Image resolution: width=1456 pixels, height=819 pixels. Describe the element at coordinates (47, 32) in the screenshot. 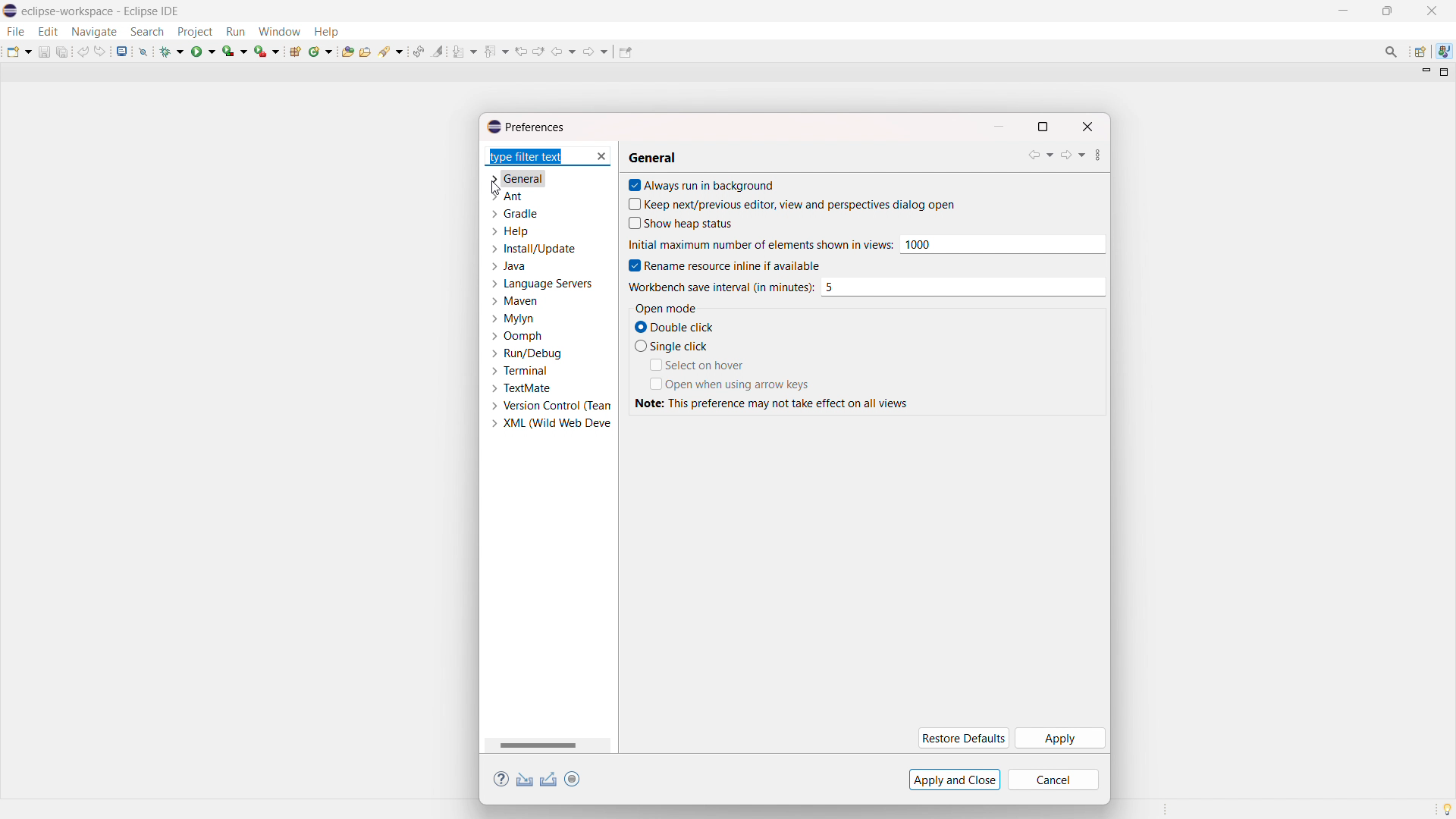

I see `edit` at that location.